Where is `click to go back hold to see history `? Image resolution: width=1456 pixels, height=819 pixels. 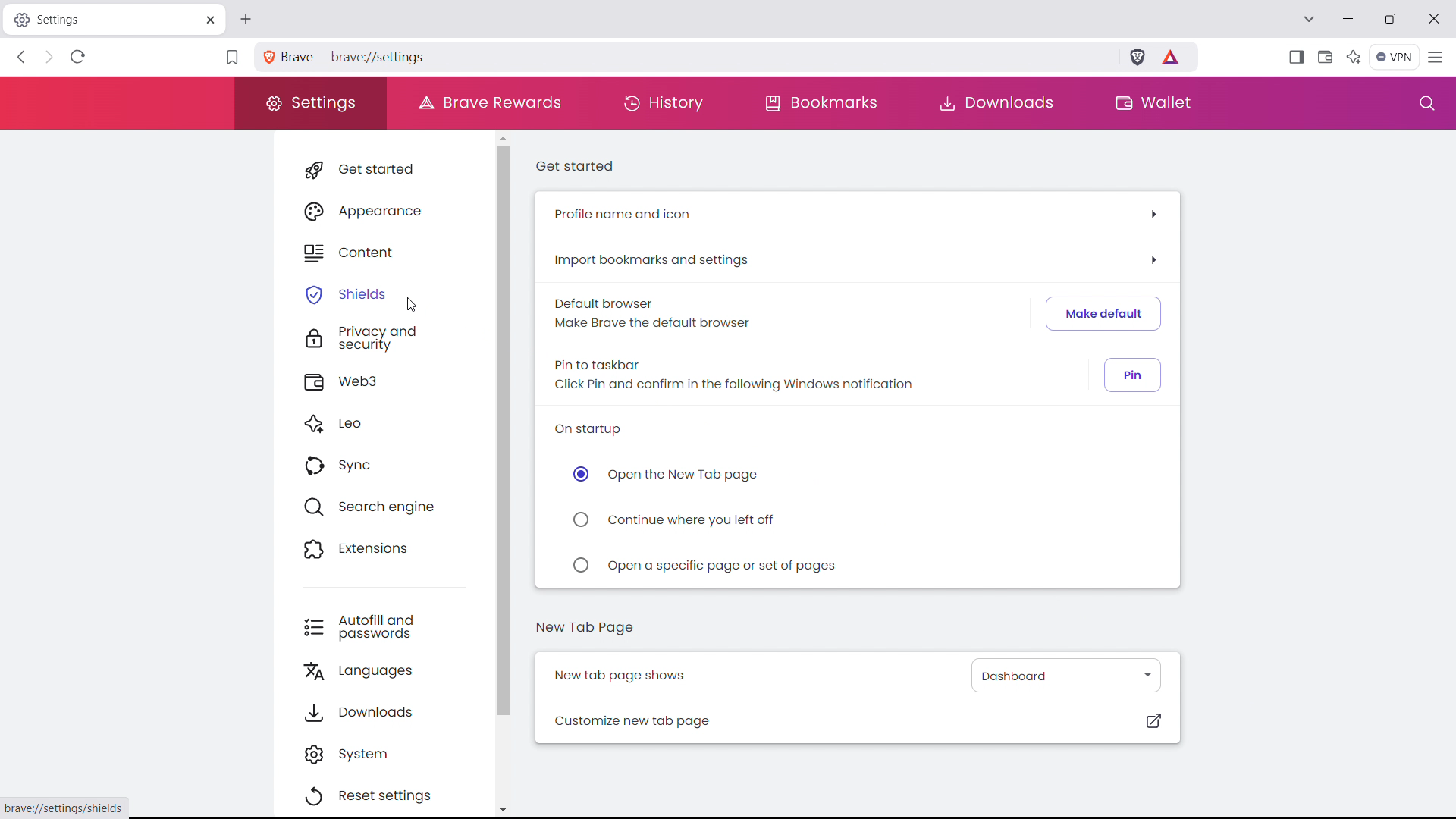 click to go back hold to see history  is located at coordinates (22, 56).